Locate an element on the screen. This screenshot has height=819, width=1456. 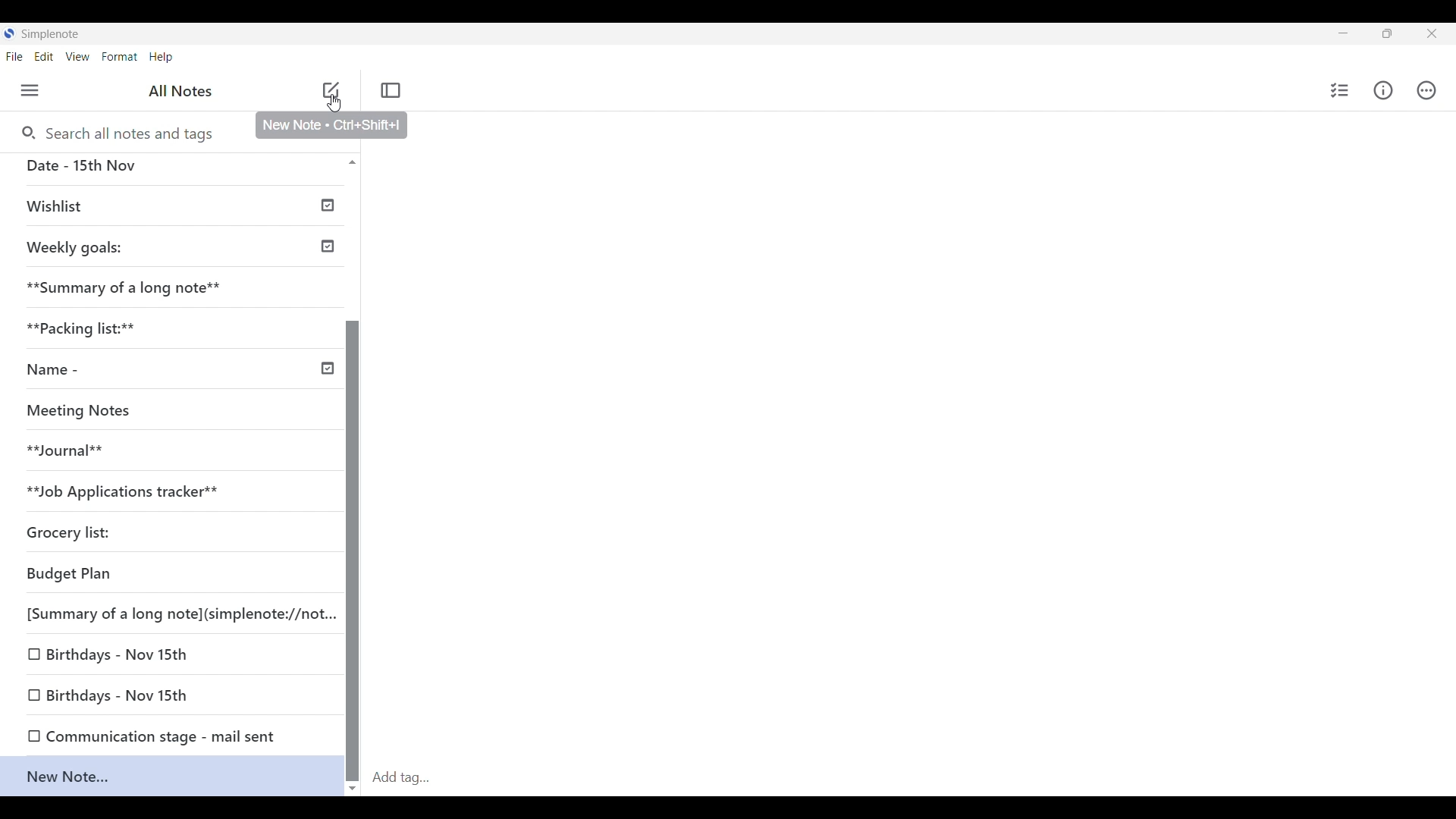
Budget Plan is located at coordinates (70, 574).